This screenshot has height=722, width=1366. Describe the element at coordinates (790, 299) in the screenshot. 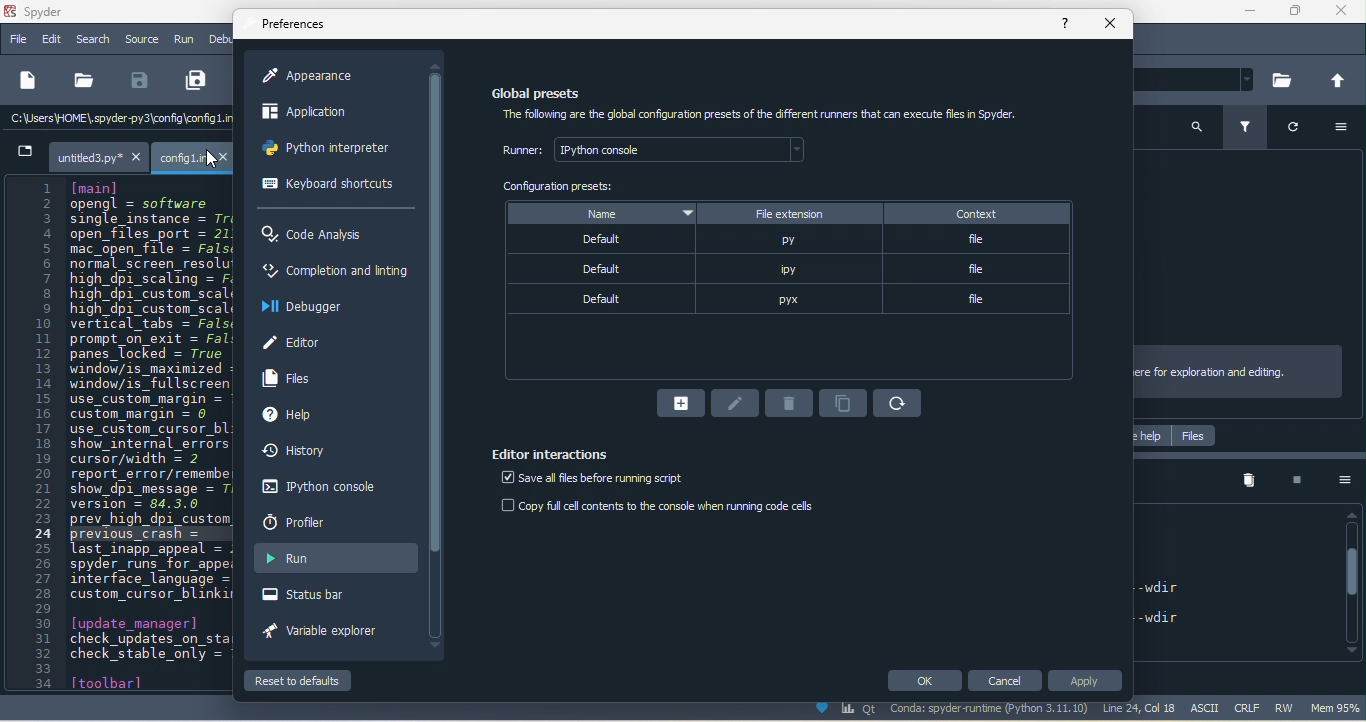

I see `pyx` at that location.